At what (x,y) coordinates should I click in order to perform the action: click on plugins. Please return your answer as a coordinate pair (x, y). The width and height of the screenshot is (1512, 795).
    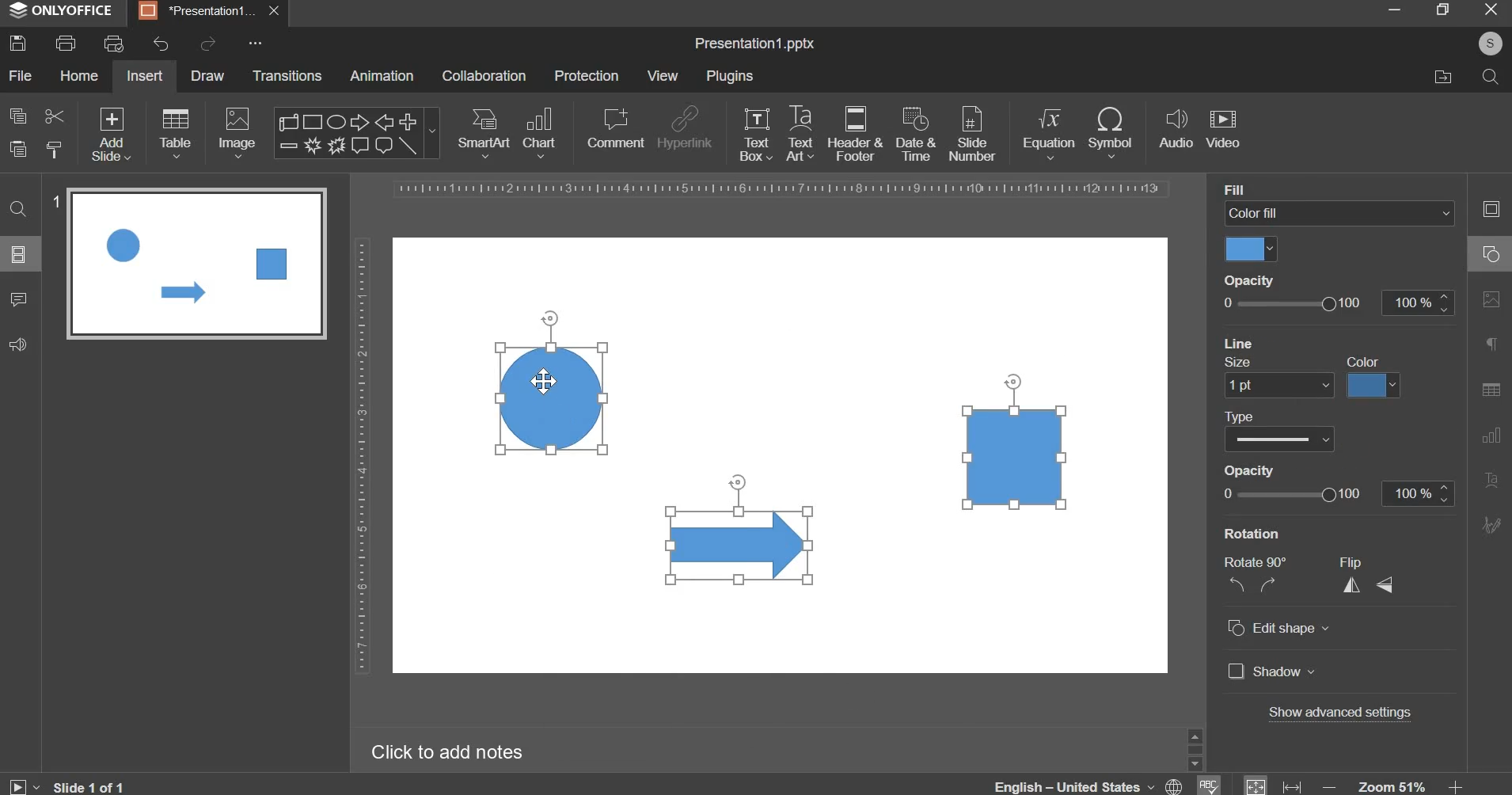
    Looking at the image, I should click on (729, 76).